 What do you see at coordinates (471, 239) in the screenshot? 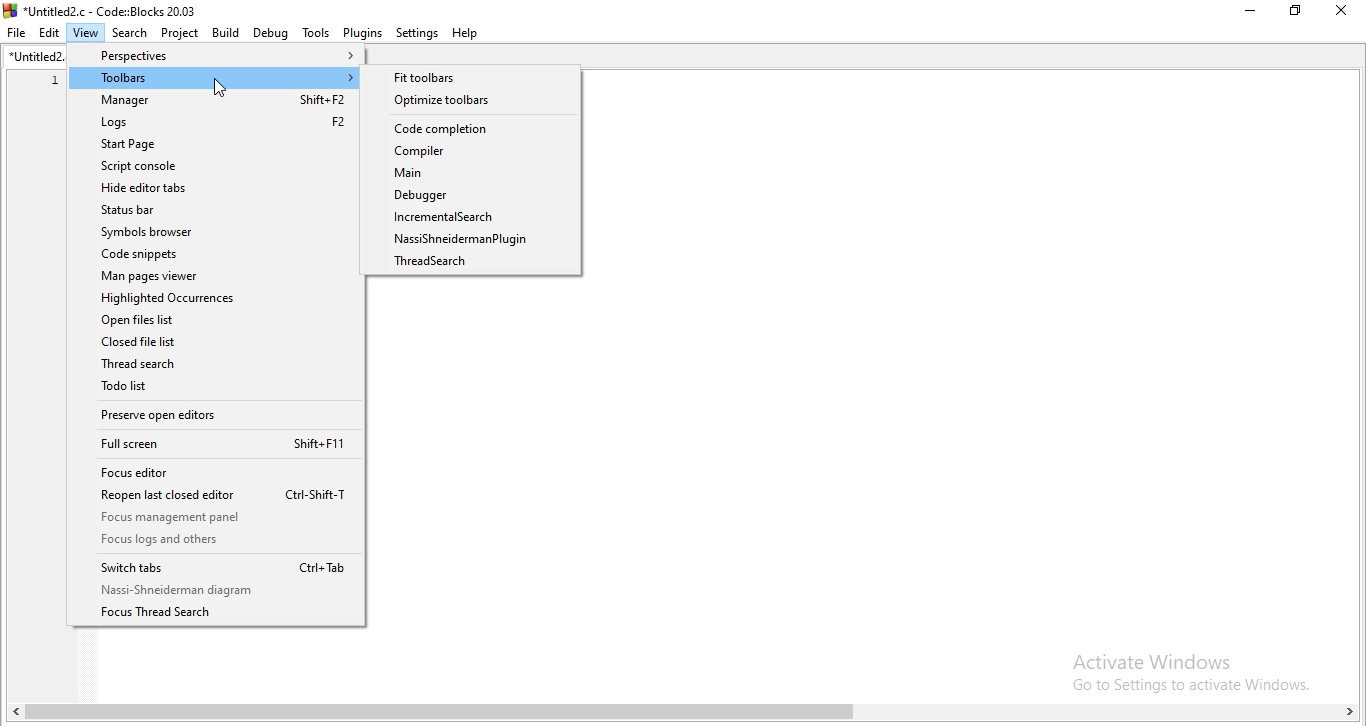
I see `Nasaishodema Plugin ` at bounding box center [471, 239].